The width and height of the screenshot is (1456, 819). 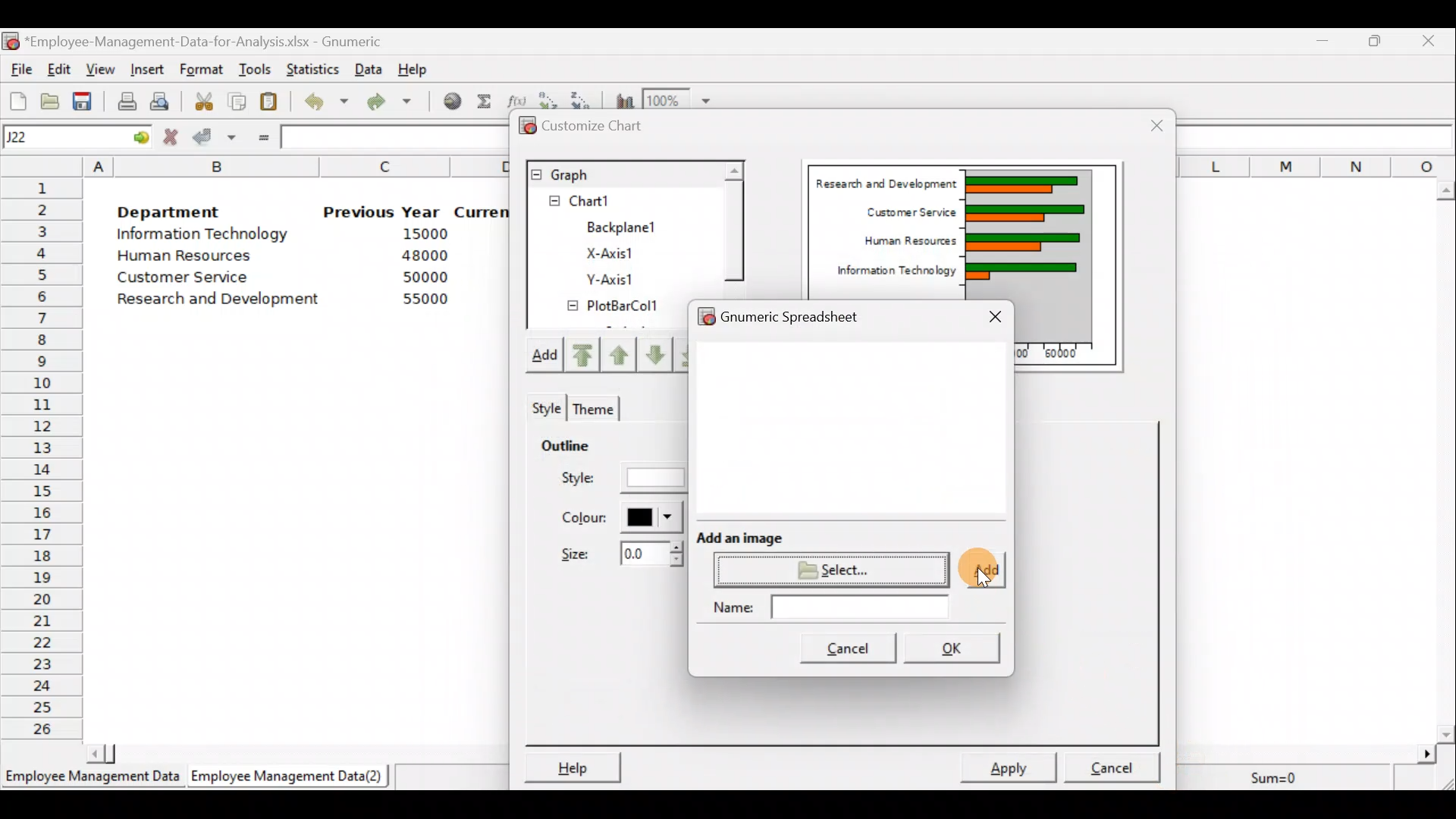 I want to click on Add, so click(x=549, y=356).